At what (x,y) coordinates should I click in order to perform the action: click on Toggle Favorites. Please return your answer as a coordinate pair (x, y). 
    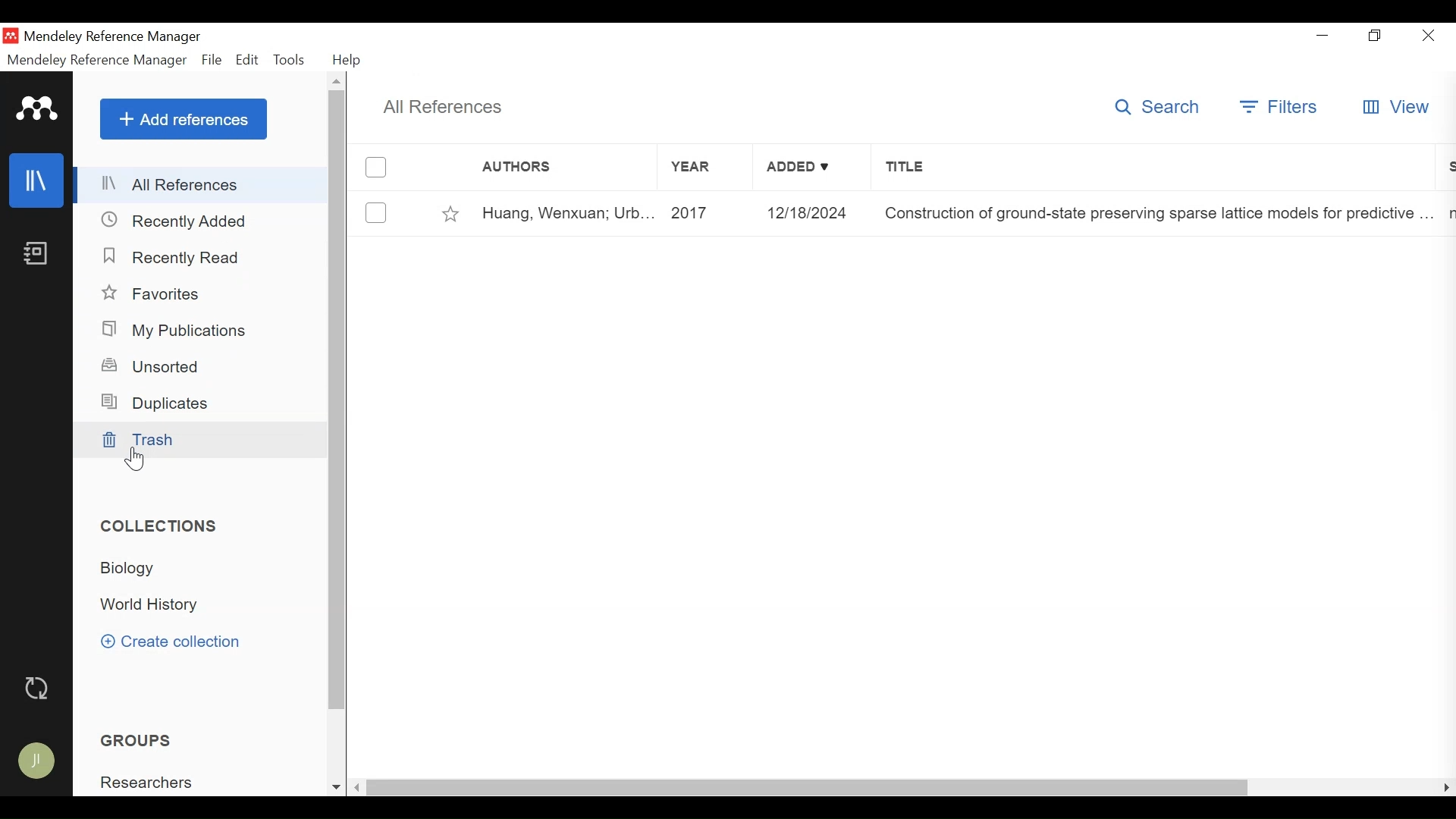
    Looking at the image, I should click on (451, 214).